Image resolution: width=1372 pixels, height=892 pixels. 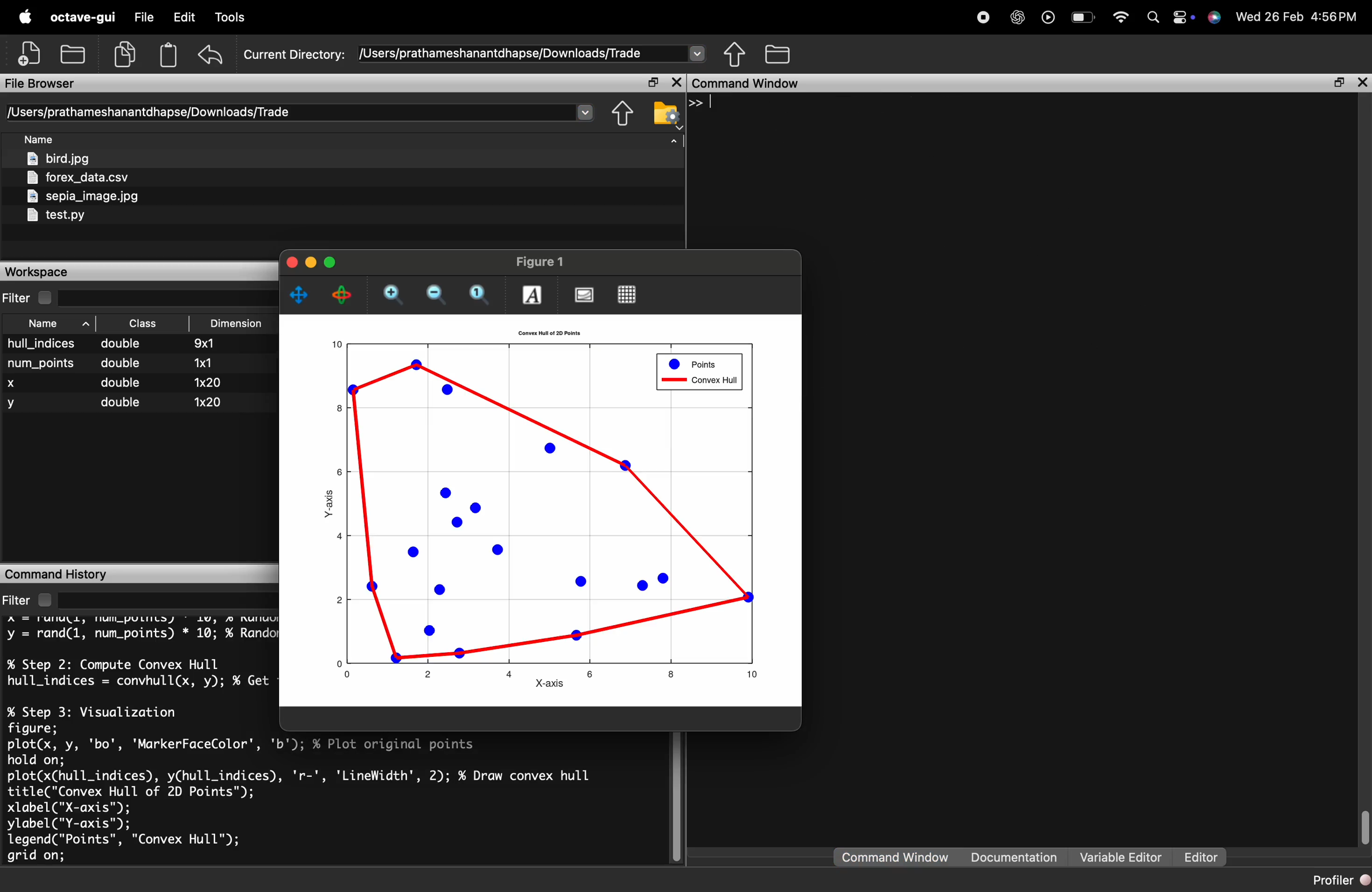 What do you see at coordinates (114, 403) in the screenshot?
I see `y double 1x20` at bounding box center [114, 403].